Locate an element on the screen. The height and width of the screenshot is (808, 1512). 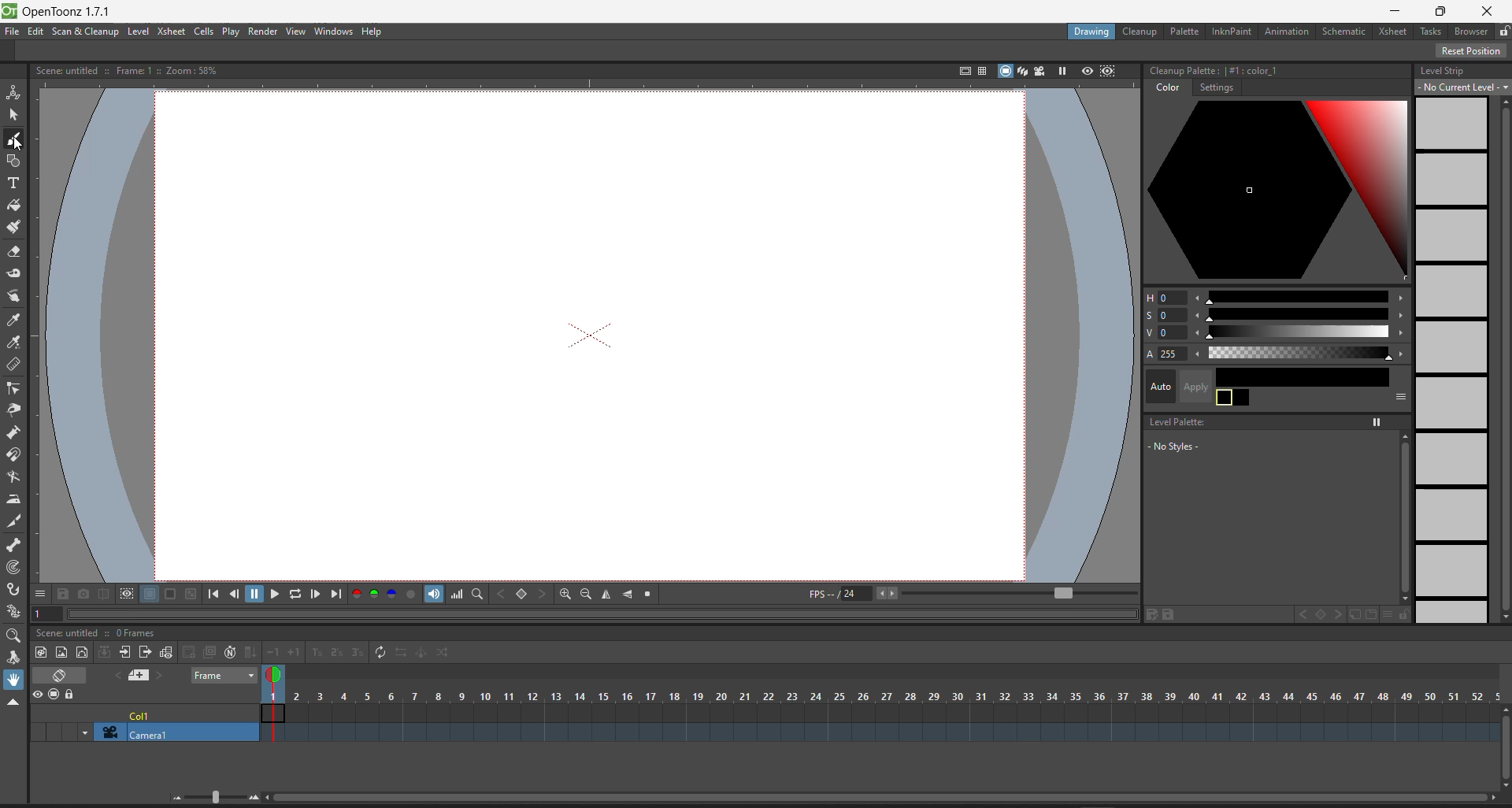
decrease step is located at coordinates (272, 645).